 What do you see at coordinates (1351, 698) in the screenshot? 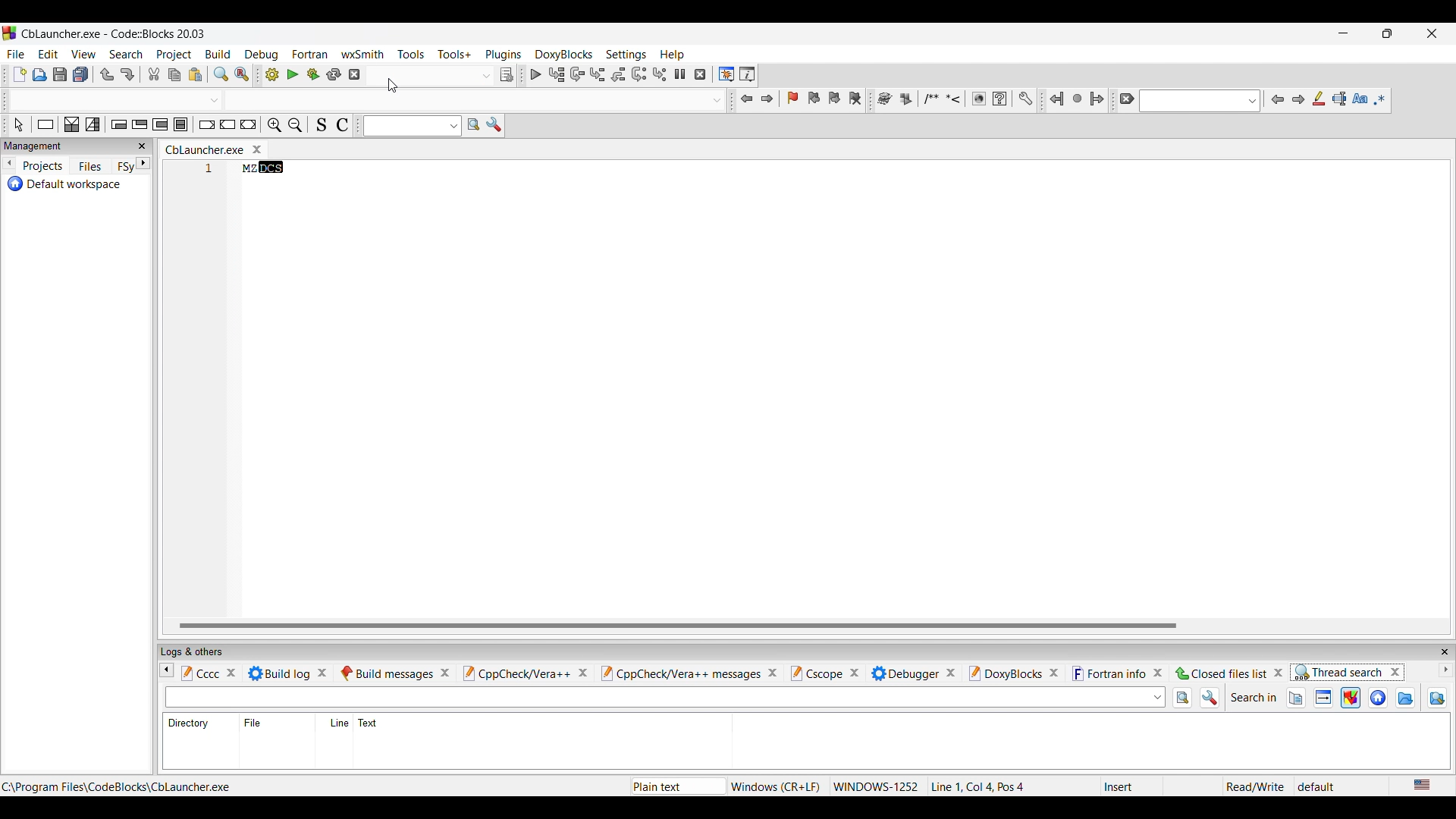
I see `Search in project files, current selection highlighted` at bounding box center [1351, 698].